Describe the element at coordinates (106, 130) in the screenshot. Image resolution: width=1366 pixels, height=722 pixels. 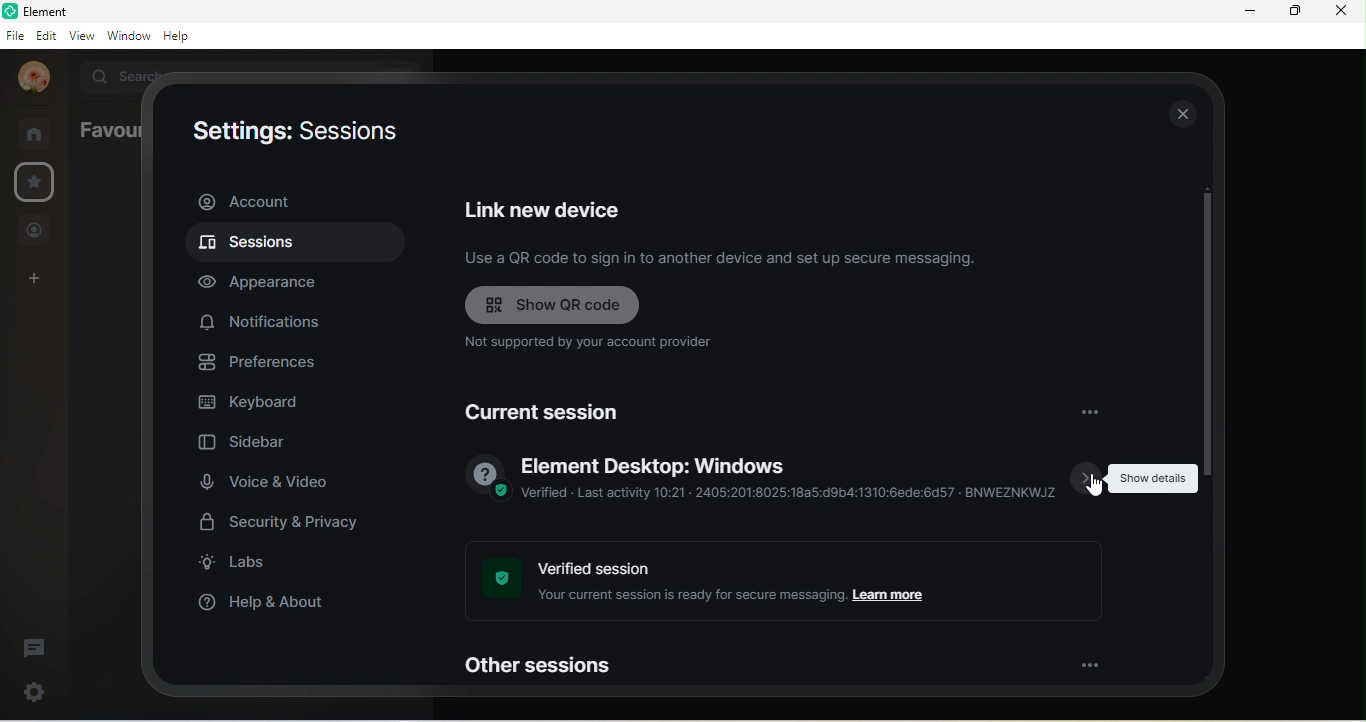
I see `favourites` at that location.